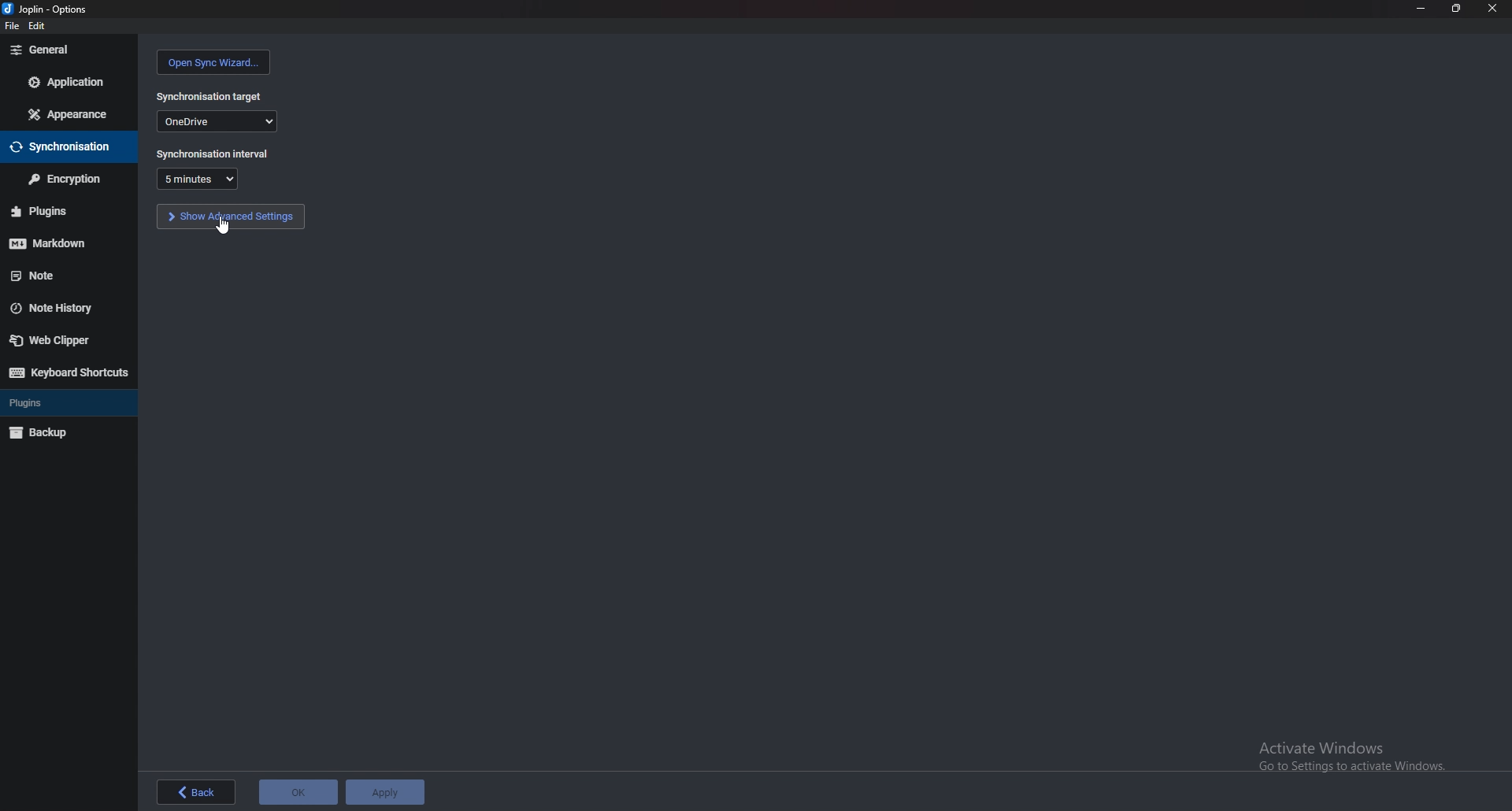 The image size is (1512, 811). I want to click on sync interval, so click(197, 180).